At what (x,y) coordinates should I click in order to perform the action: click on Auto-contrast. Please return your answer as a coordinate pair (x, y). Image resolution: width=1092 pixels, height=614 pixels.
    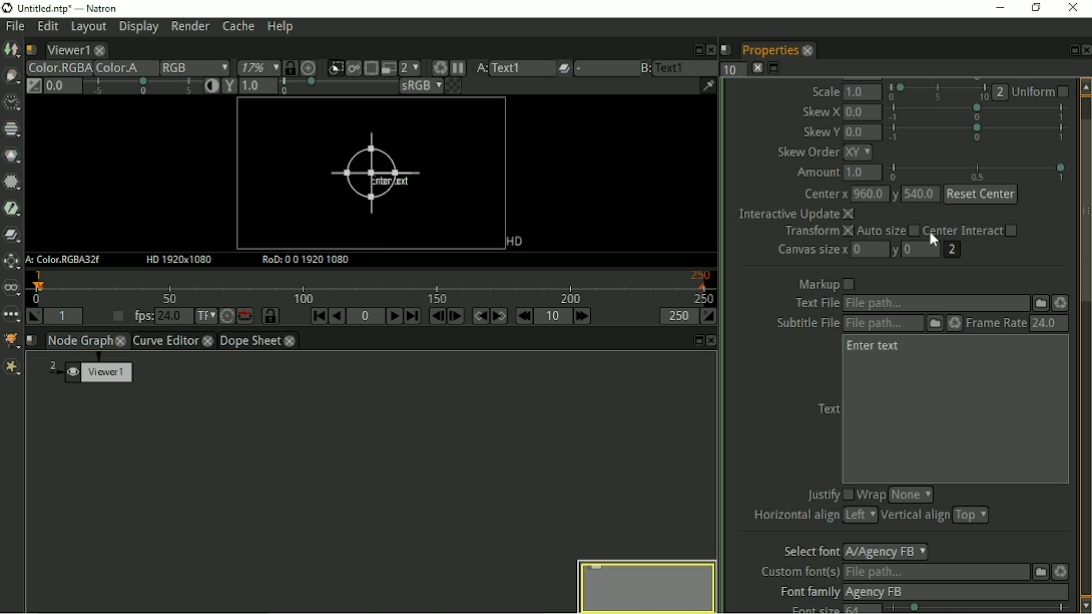
    Looking at the image, I should click on (210, 87).